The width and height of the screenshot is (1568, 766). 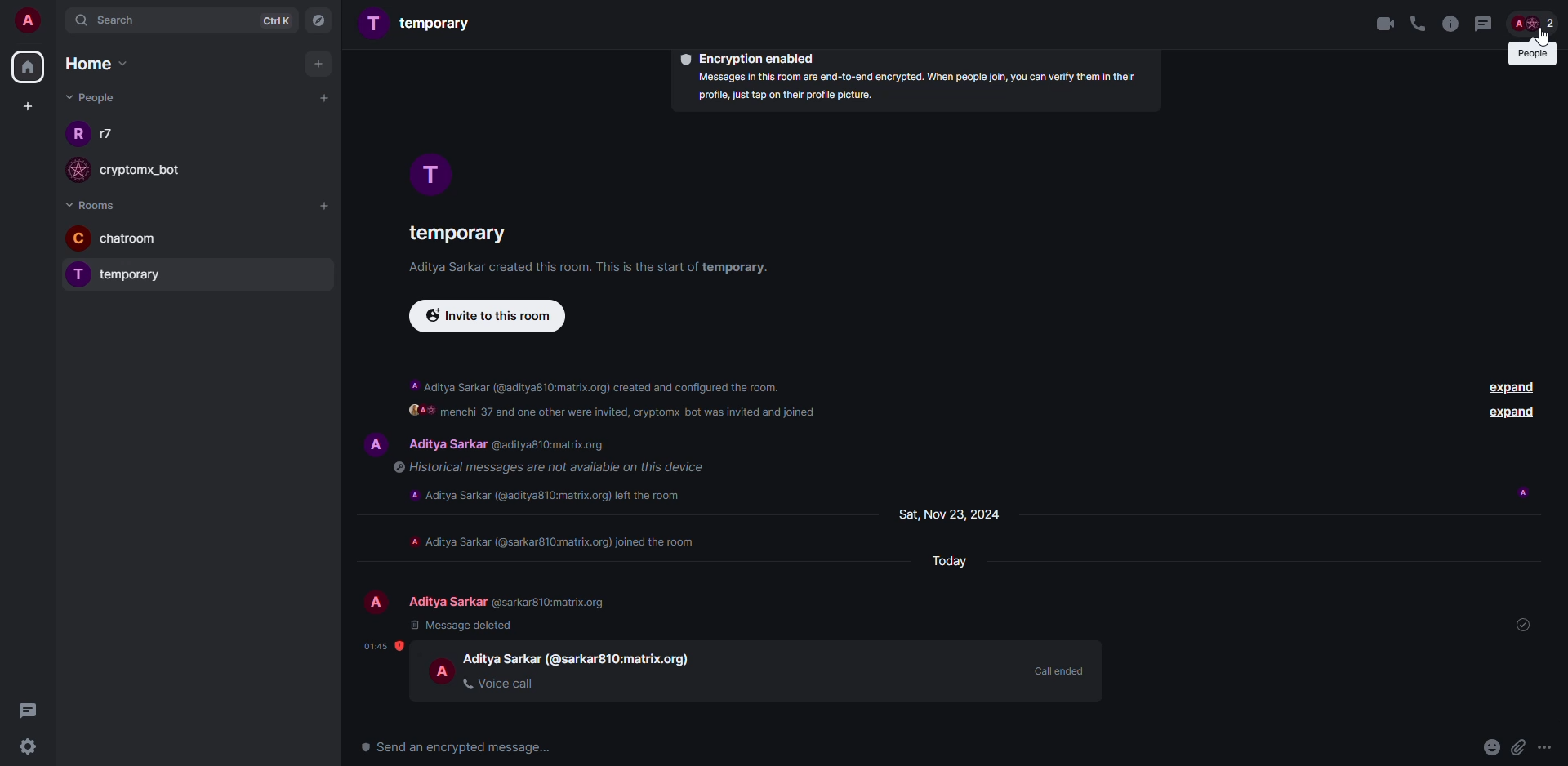 I want to click on threads, so click(x=1483, y=24).